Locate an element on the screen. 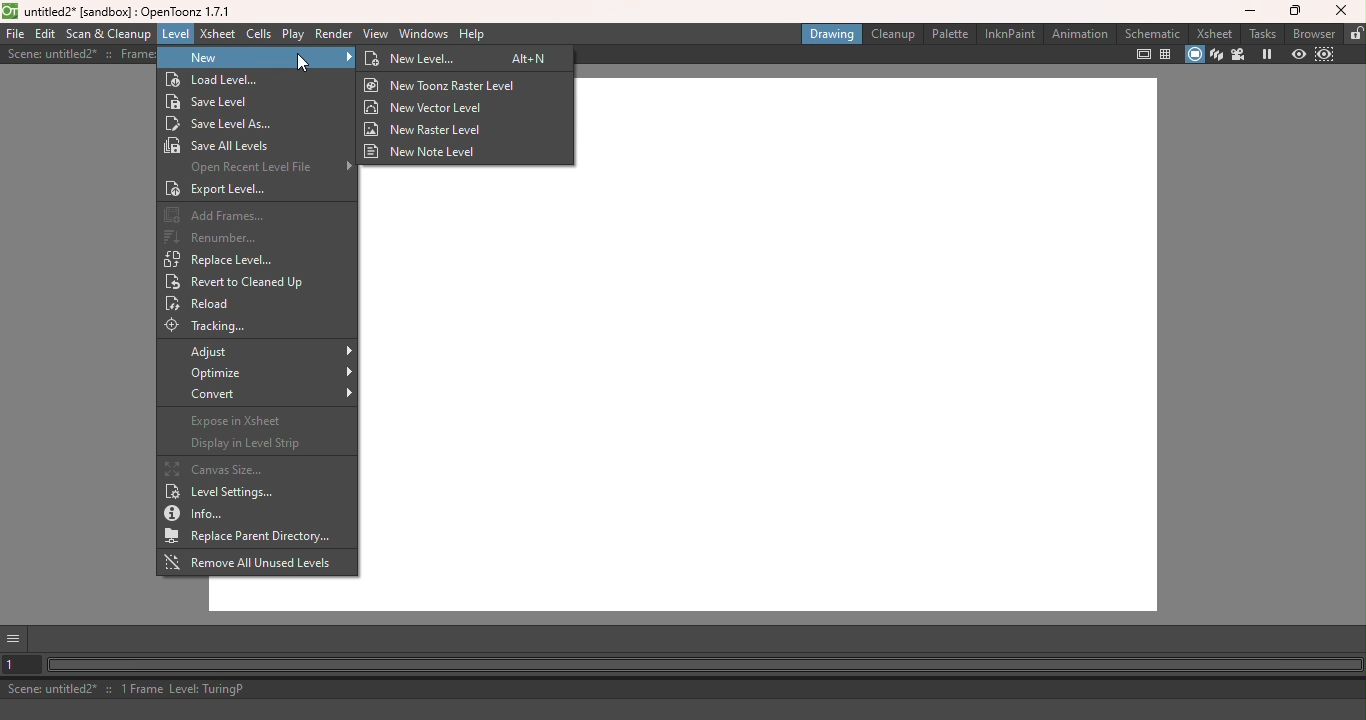 The height and width of the screenshot is (720, 1366). Horizontal scroll bar is located at coordinates (705, 666).